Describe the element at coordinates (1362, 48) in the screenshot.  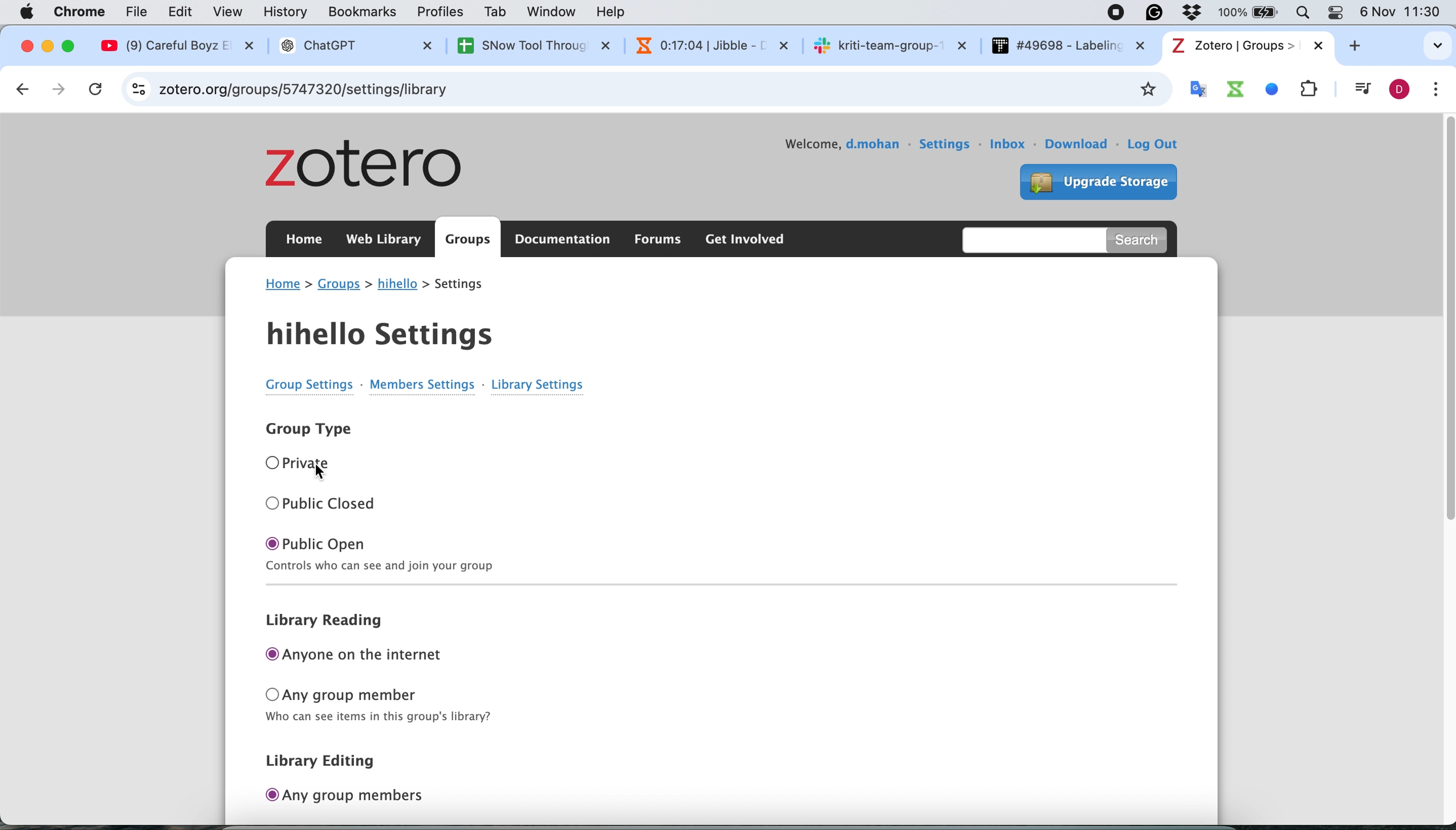
I see `add new tab` at that location.